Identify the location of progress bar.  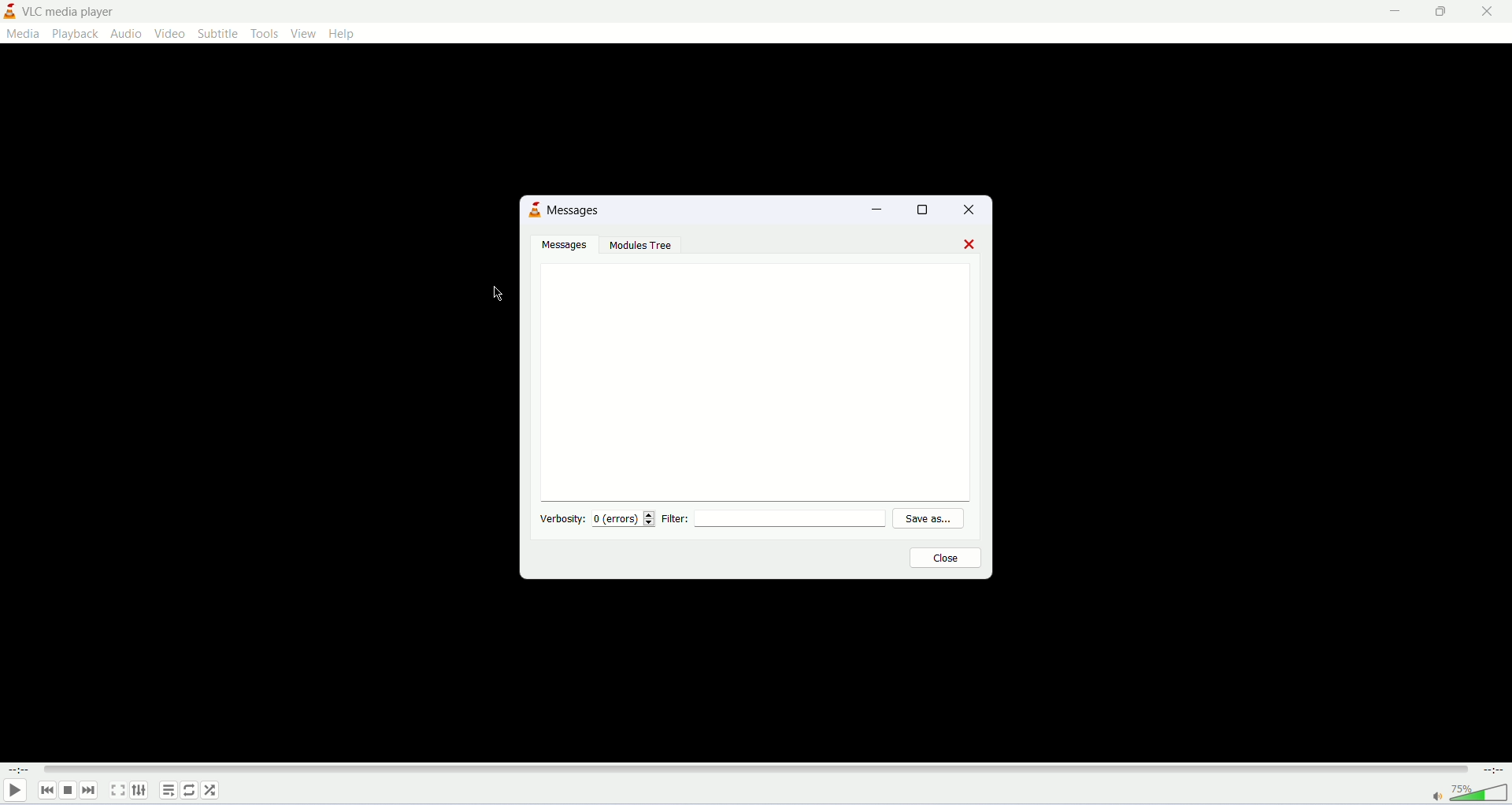
(757, 770).